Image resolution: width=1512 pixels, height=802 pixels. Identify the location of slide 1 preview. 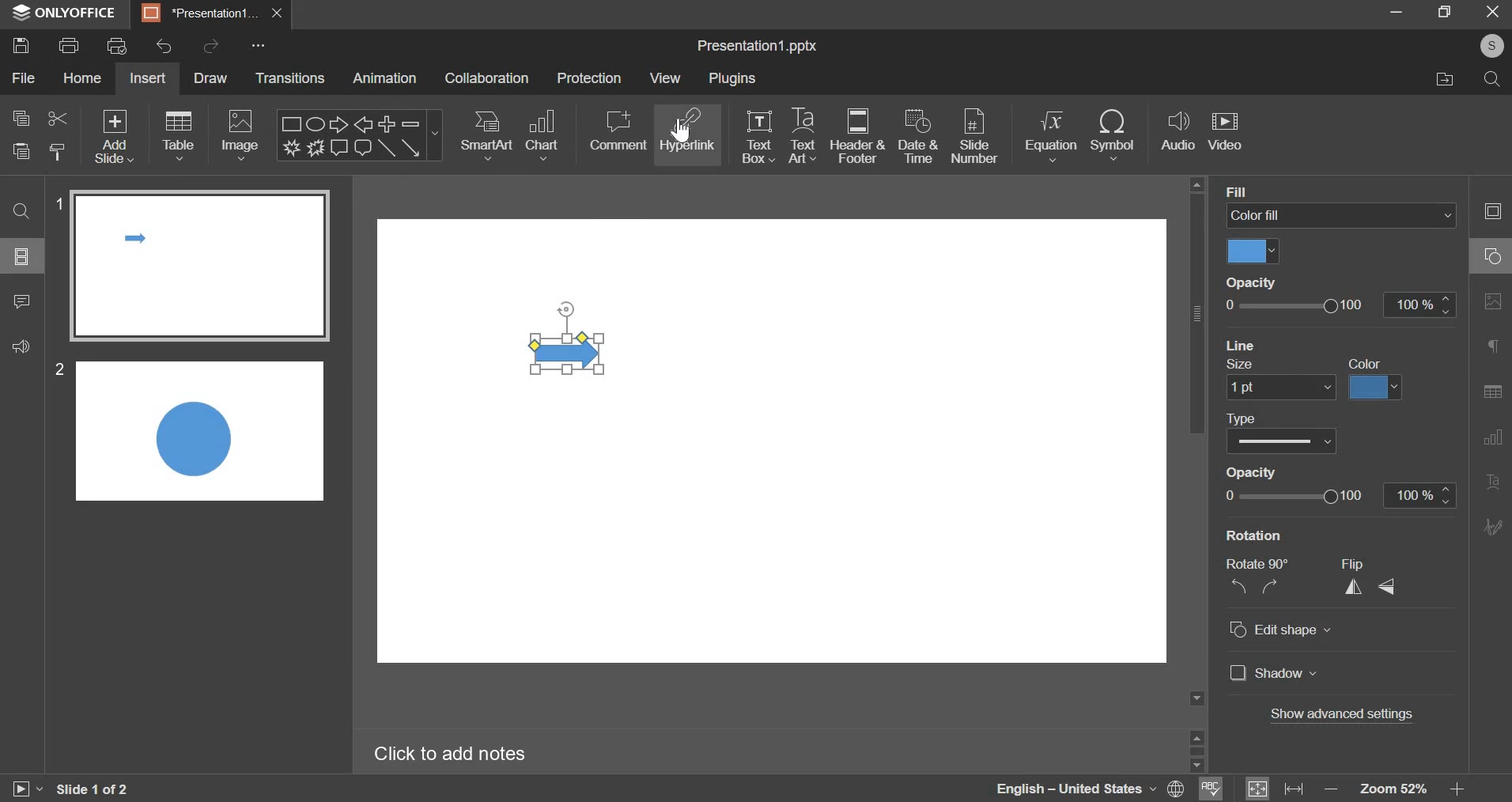
(202, 267).